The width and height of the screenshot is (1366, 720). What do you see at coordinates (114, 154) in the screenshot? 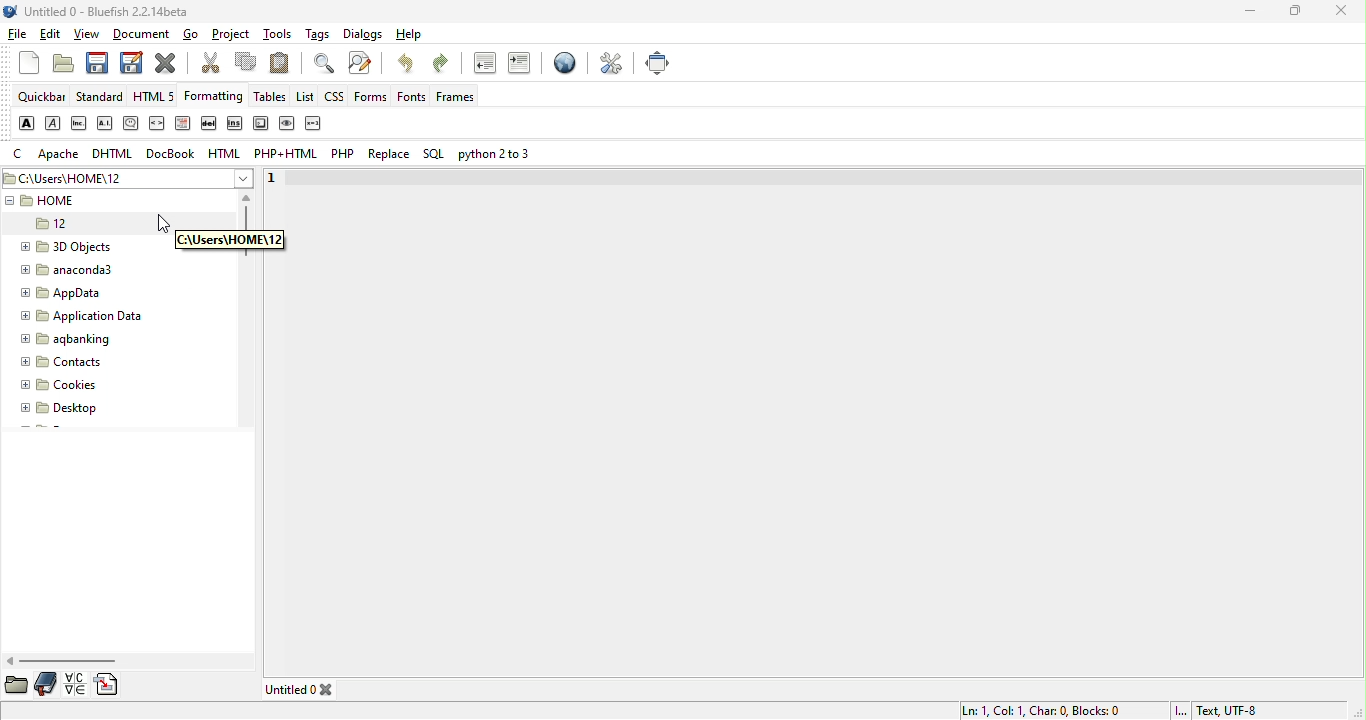
I see `dhtml` at bounding box center [114, 154].